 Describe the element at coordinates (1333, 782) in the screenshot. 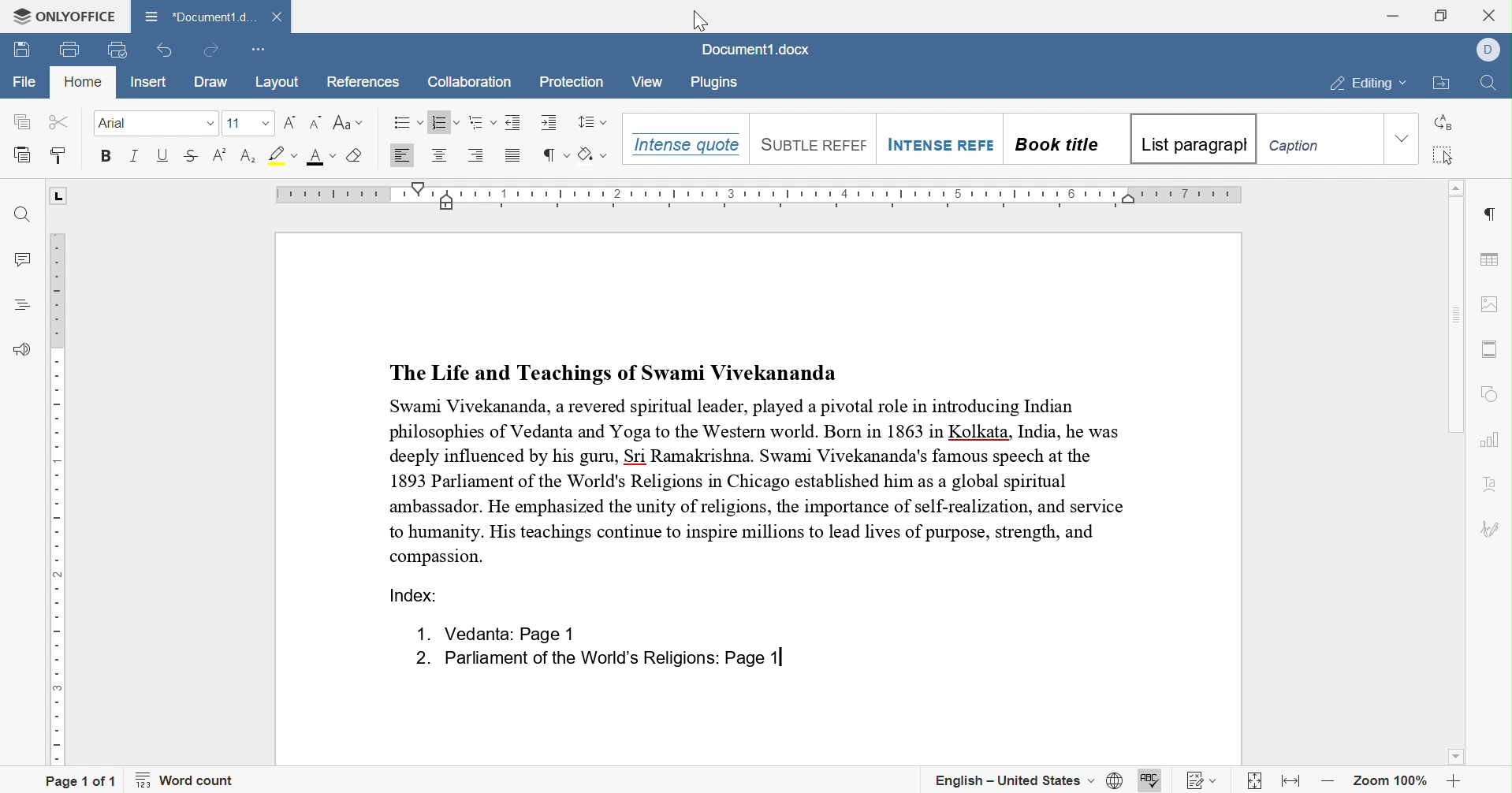

I see `zoom out` at that location.